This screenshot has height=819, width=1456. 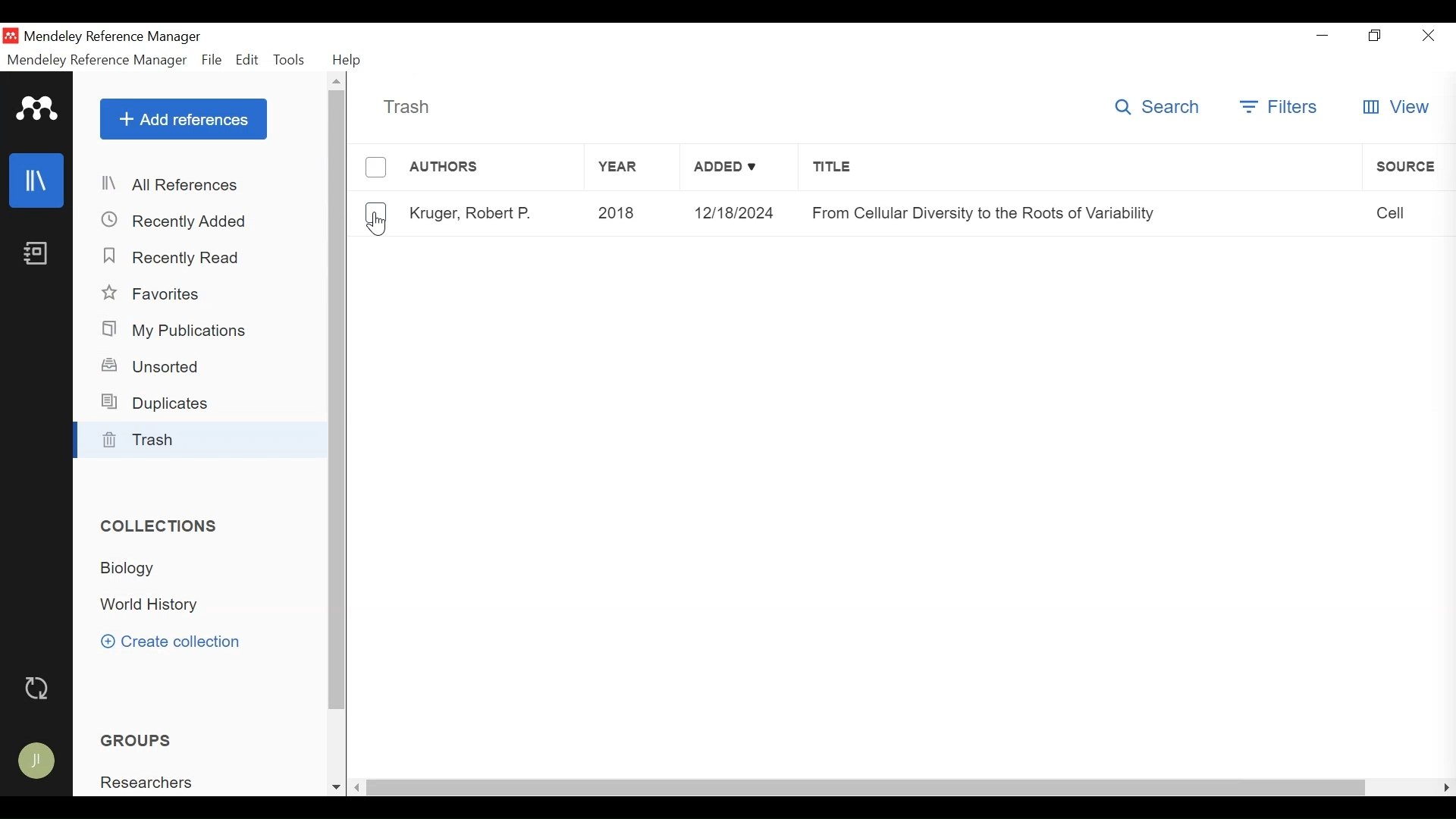 What do you see at coordinates (1323, 36) in the screenshot?
I see `minimize` at bounding box center [1323, 36].